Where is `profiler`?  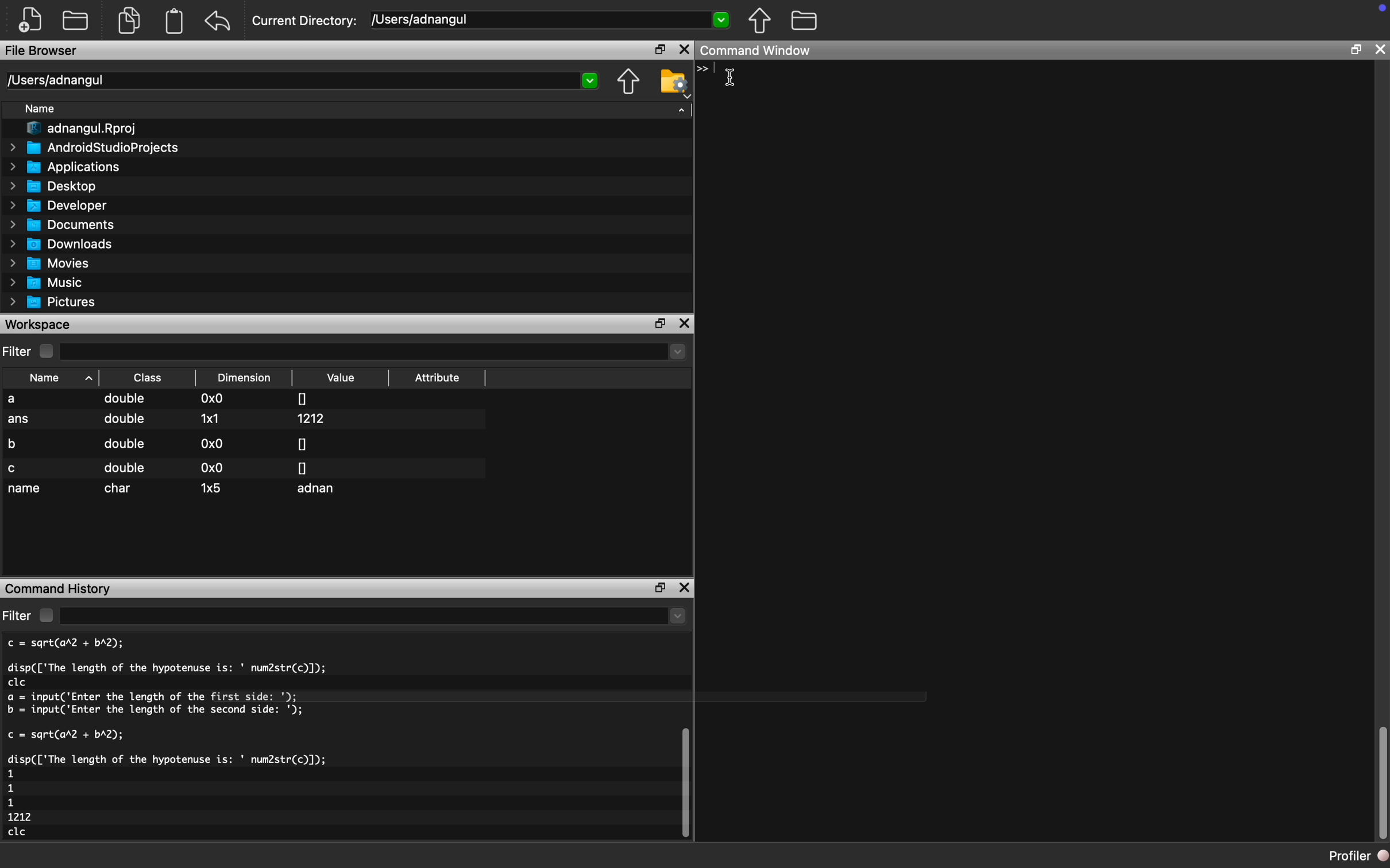
profiler is located at coordinates (1346, 855).